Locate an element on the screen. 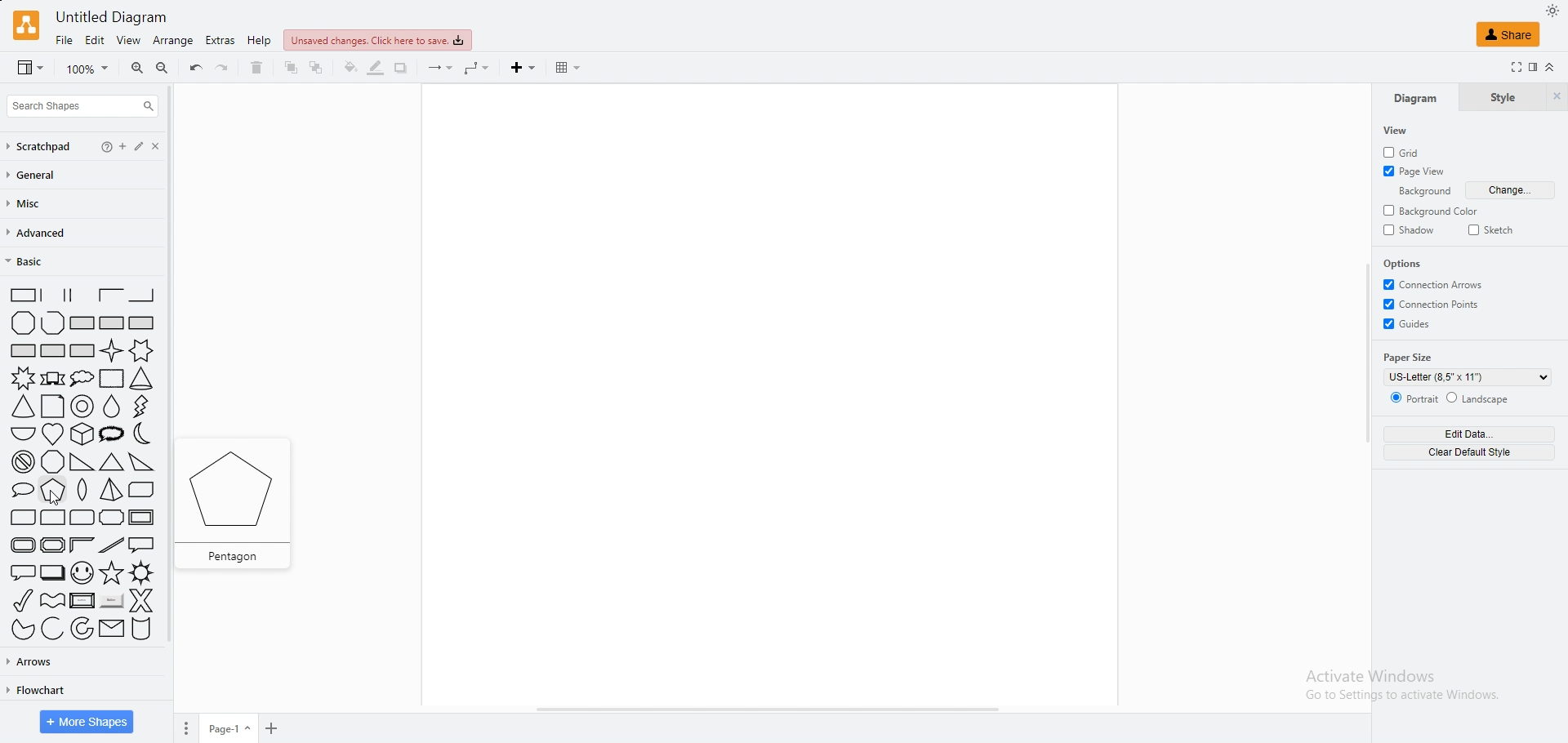 Image resolution: width=1568 pixels, height=743 pixels. diagonal rounded rectangle is located at coordinates (21, 518).